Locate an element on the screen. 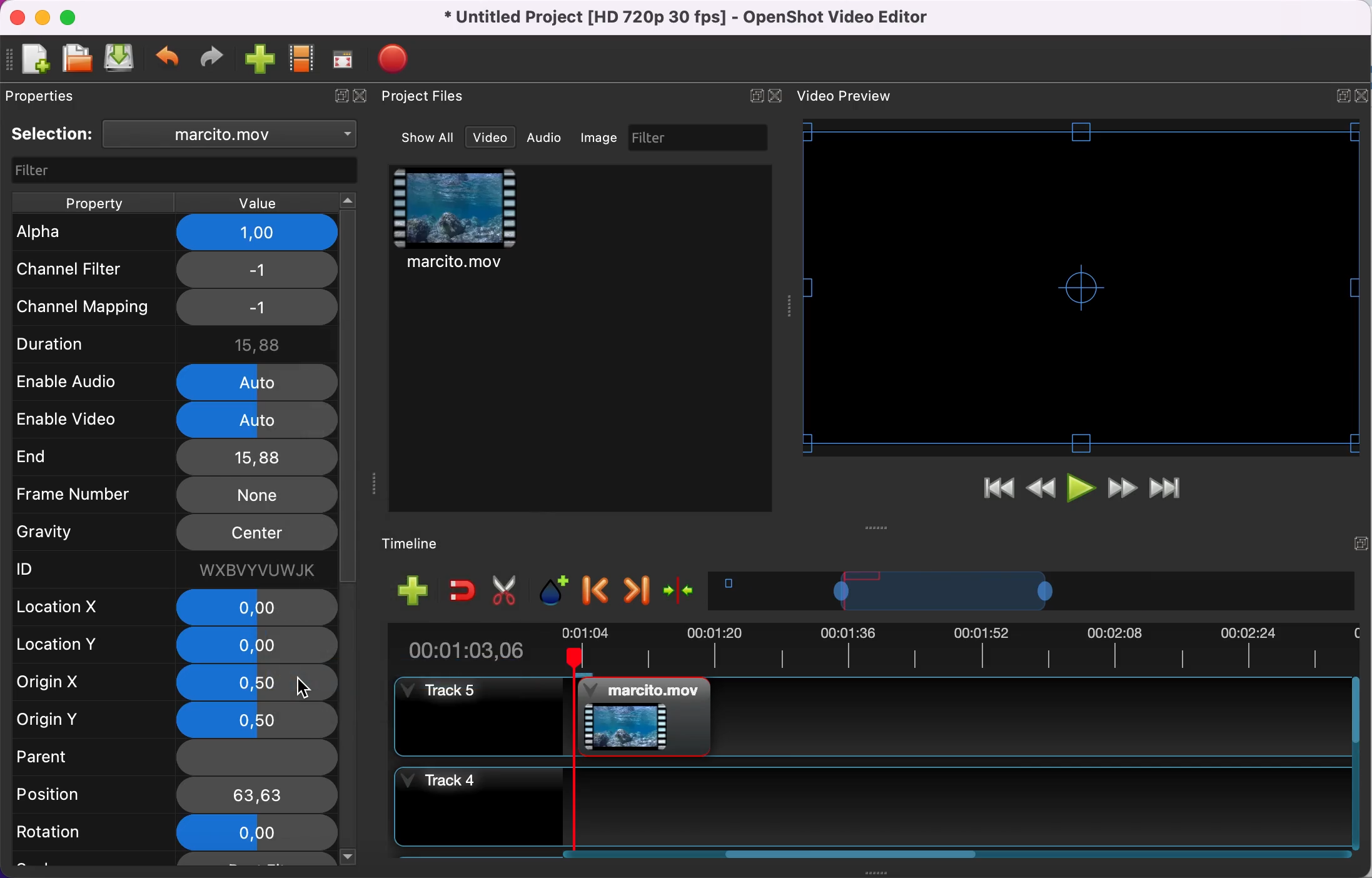 The image size is (1372, 878). channel mapping -1 is located at coordinates (173, 307).